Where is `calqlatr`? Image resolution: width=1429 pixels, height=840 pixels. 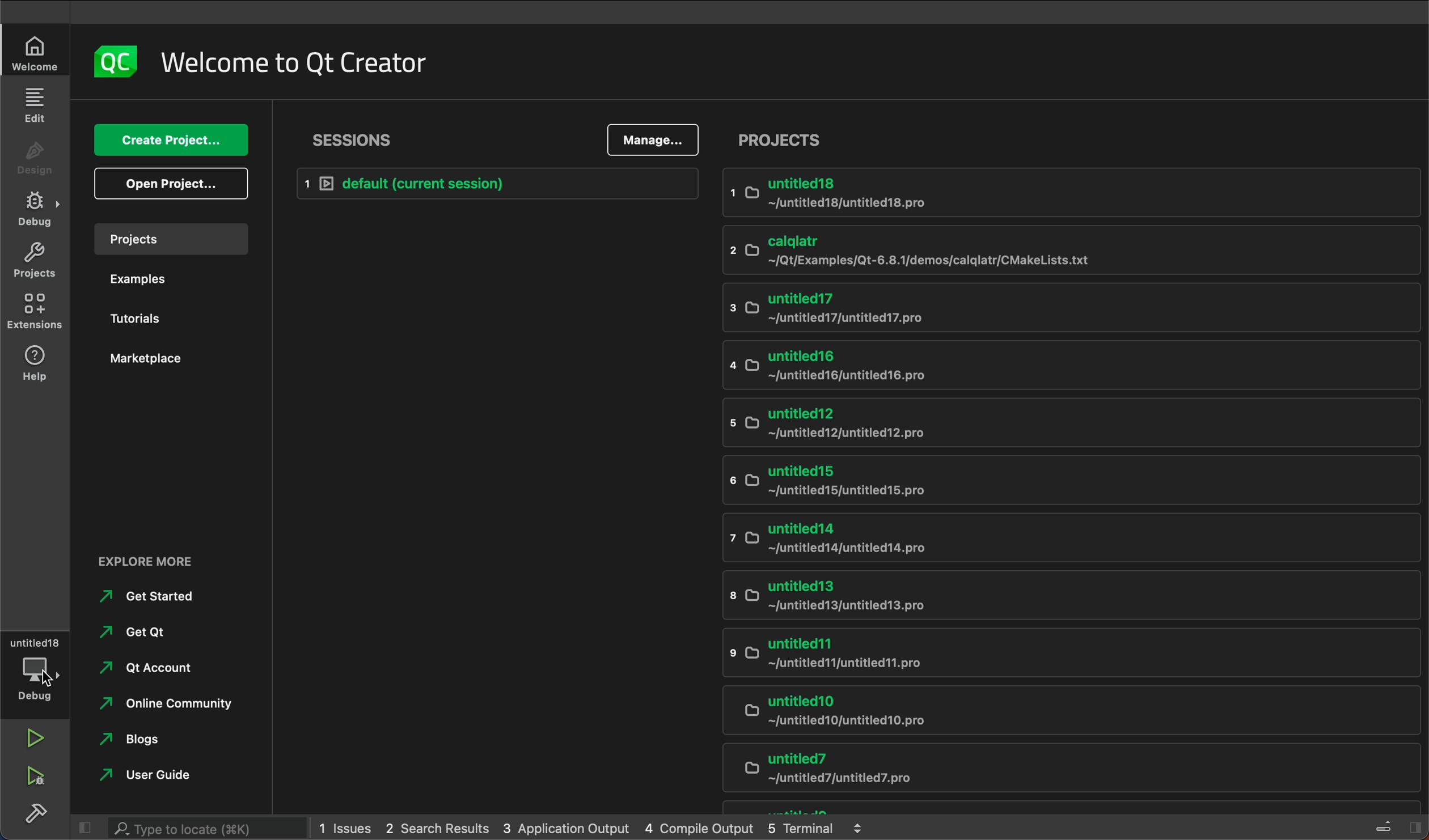
calqlatr is located at coordinates (992, 250).